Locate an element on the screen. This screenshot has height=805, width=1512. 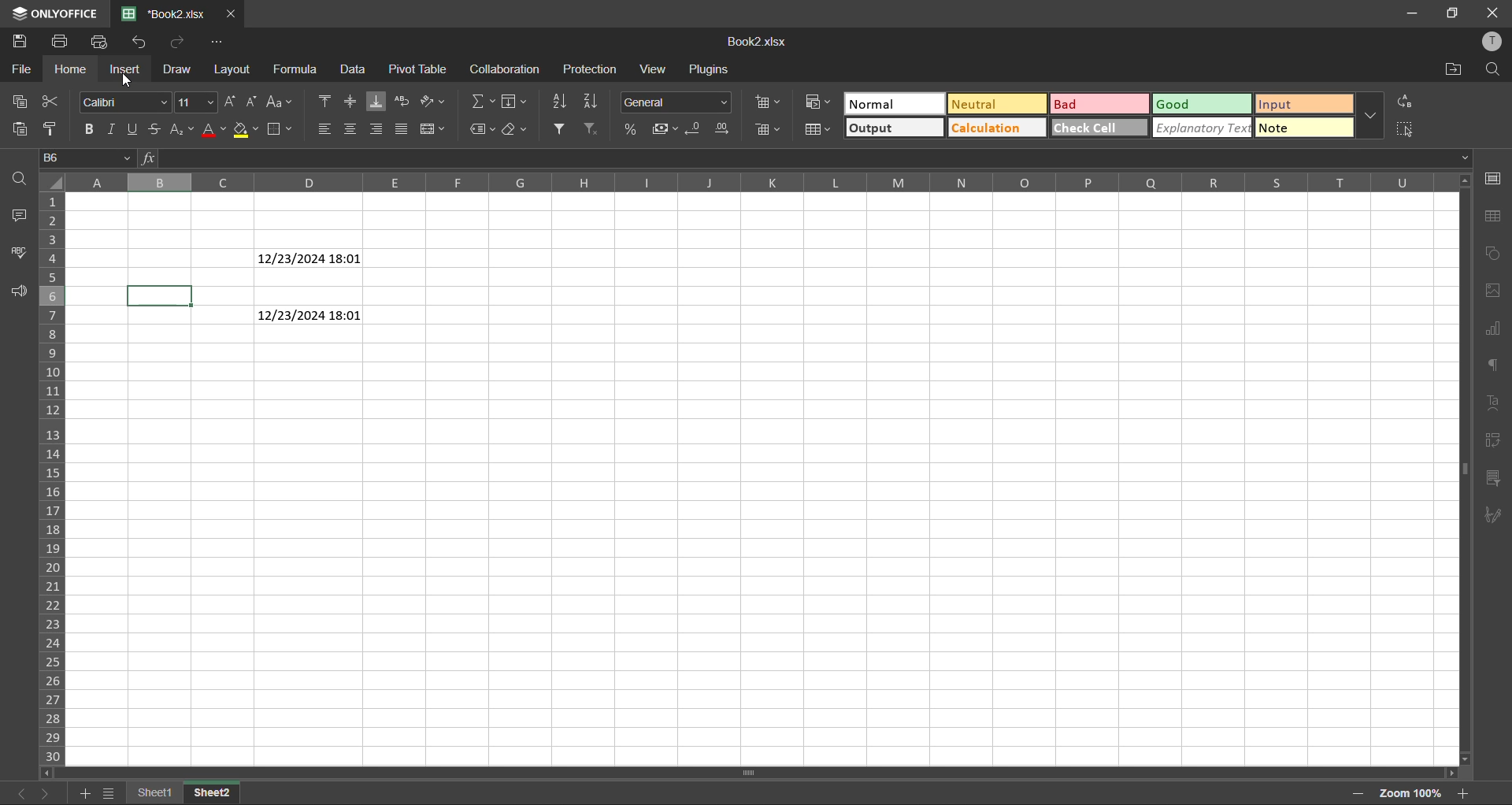
clear filter is located at coordinates (591, 129).